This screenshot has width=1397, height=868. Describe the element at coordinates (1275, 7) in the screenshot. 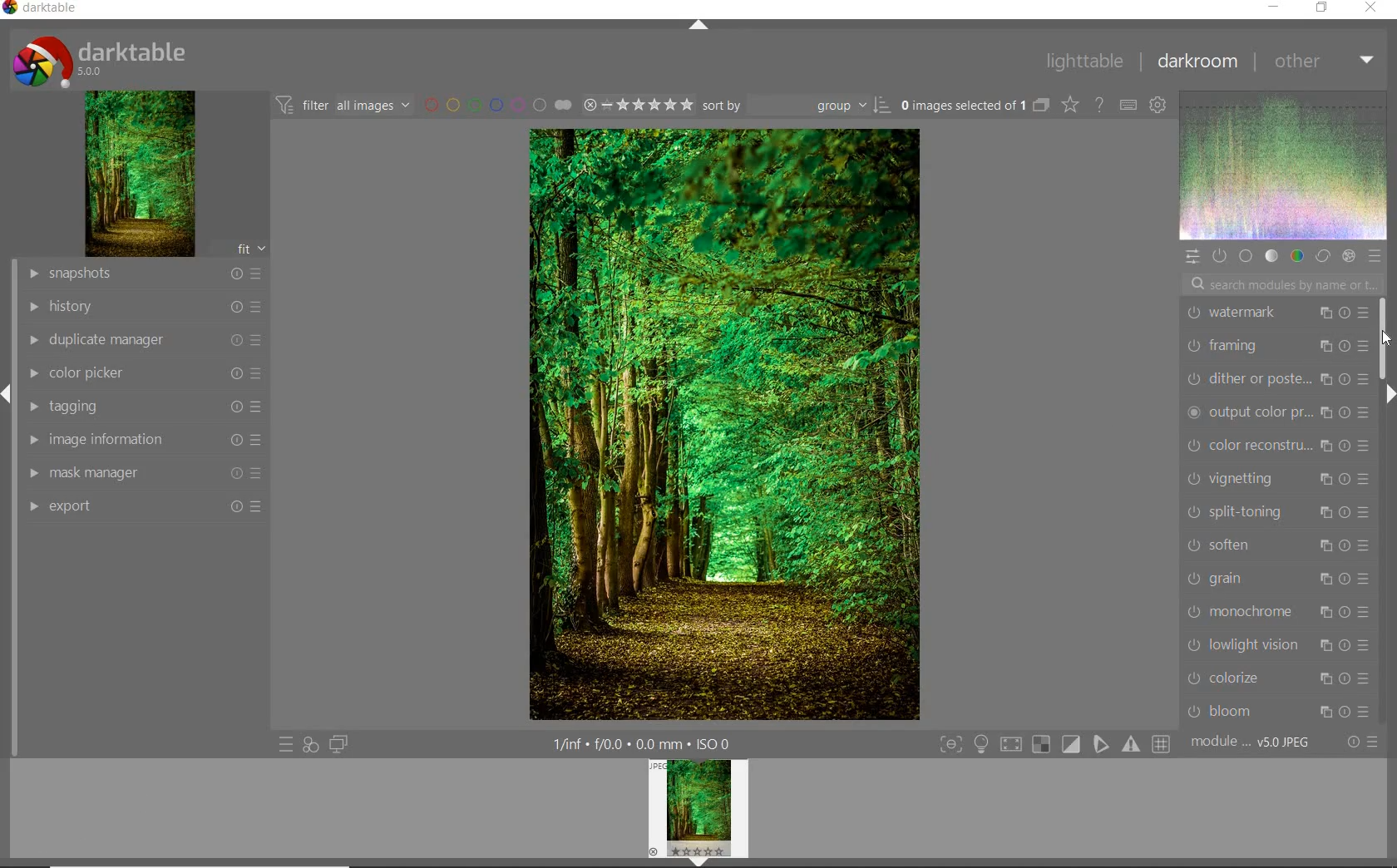

I see `MINIMIZE` at that location.